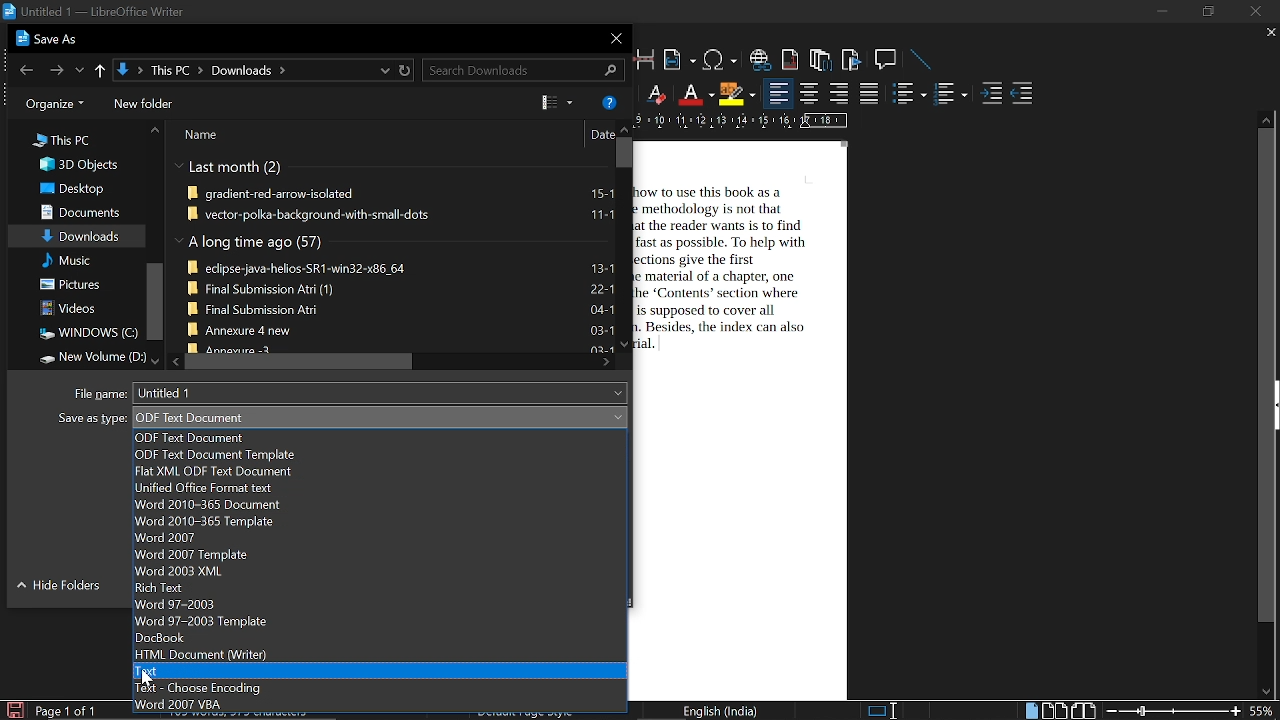  Describe the element at coordinates (646, 59) in the screenshot. I see `insert page break` at that location.